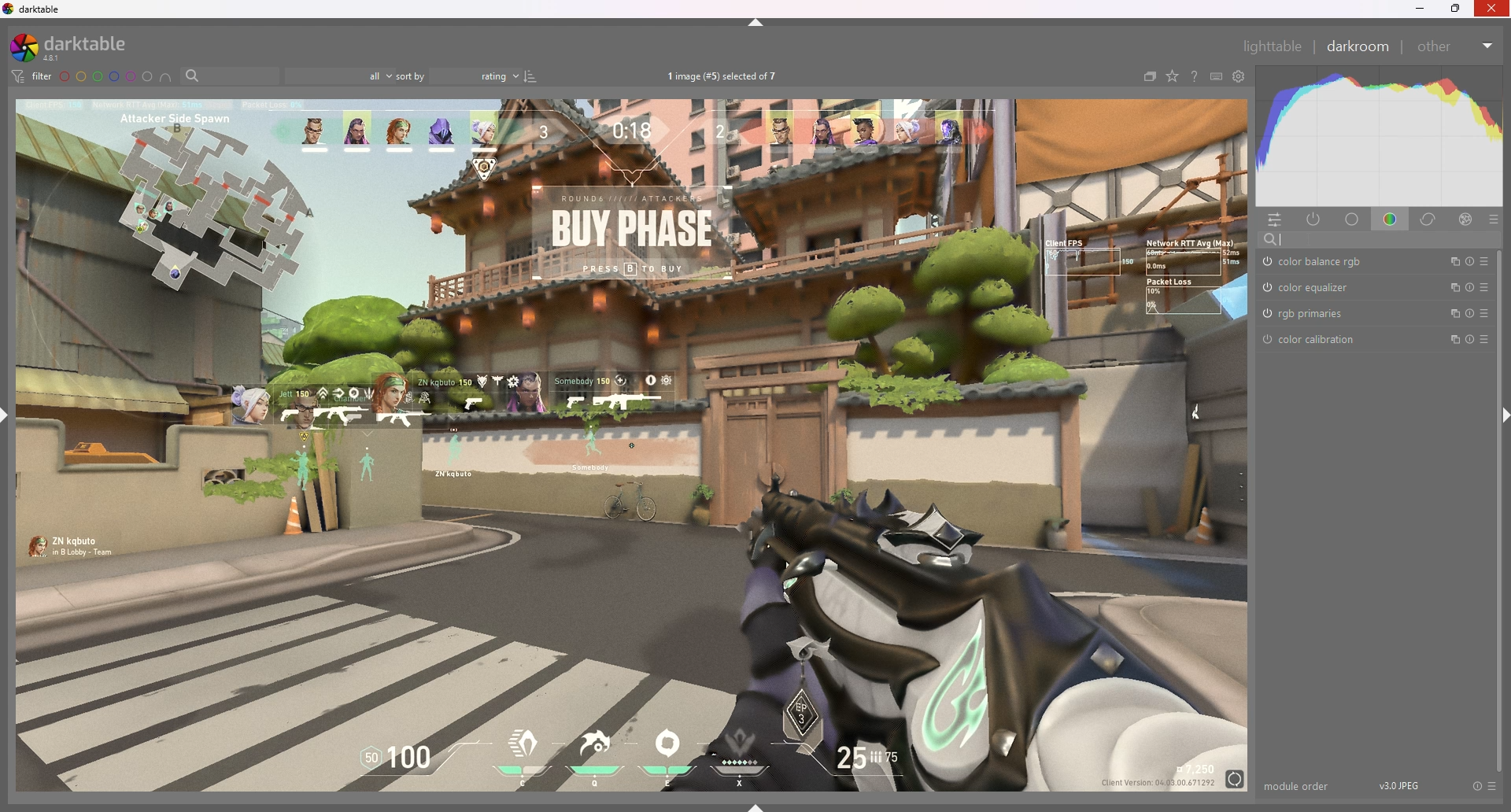 The height and width of the screenshot is (812, 1511). I want to click on color labels, so click(106, 77).